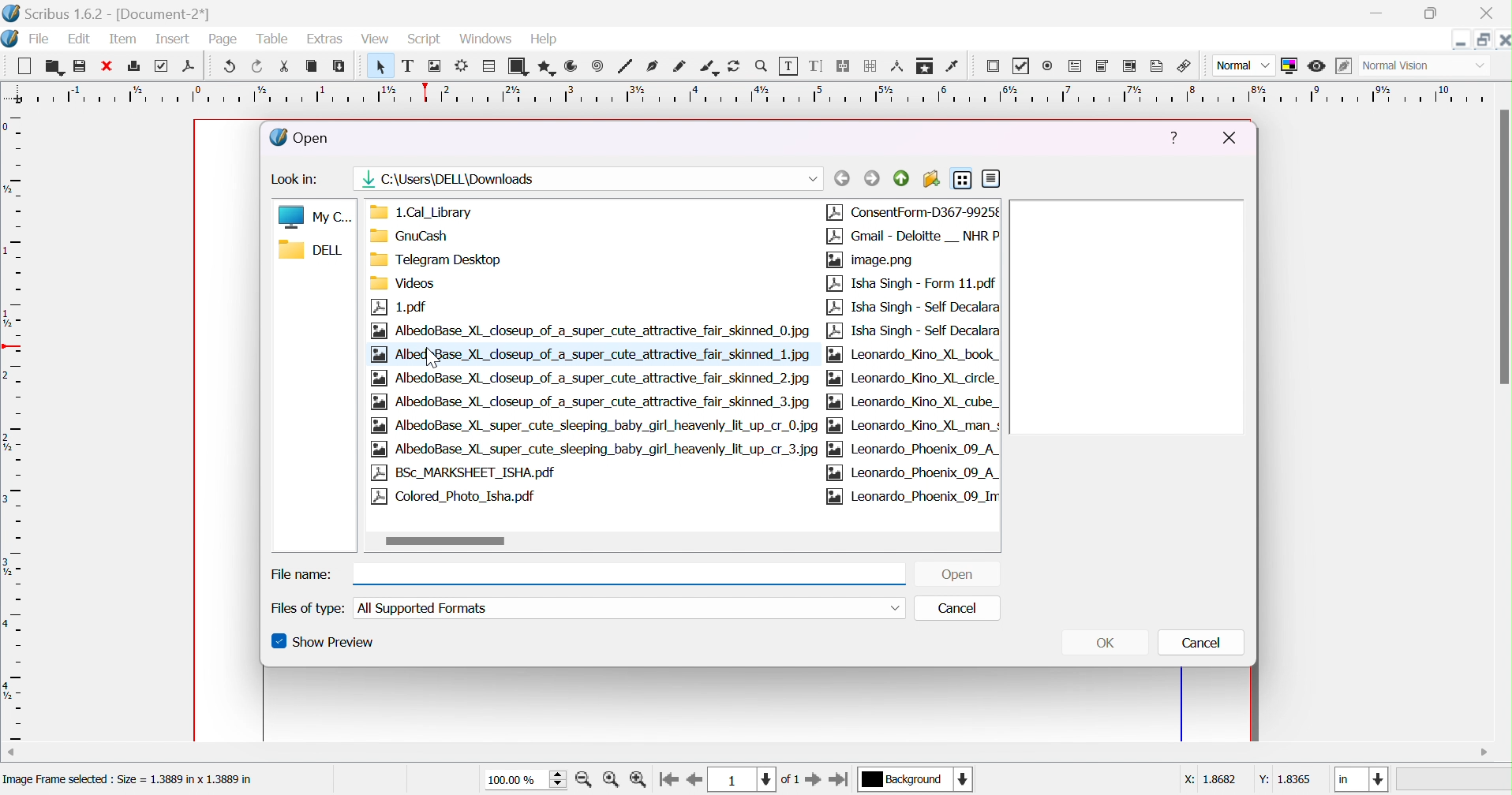  What do you see at coordinates (51, 67) in the screenshot?
I see `open` at bounding box center [51, 67].